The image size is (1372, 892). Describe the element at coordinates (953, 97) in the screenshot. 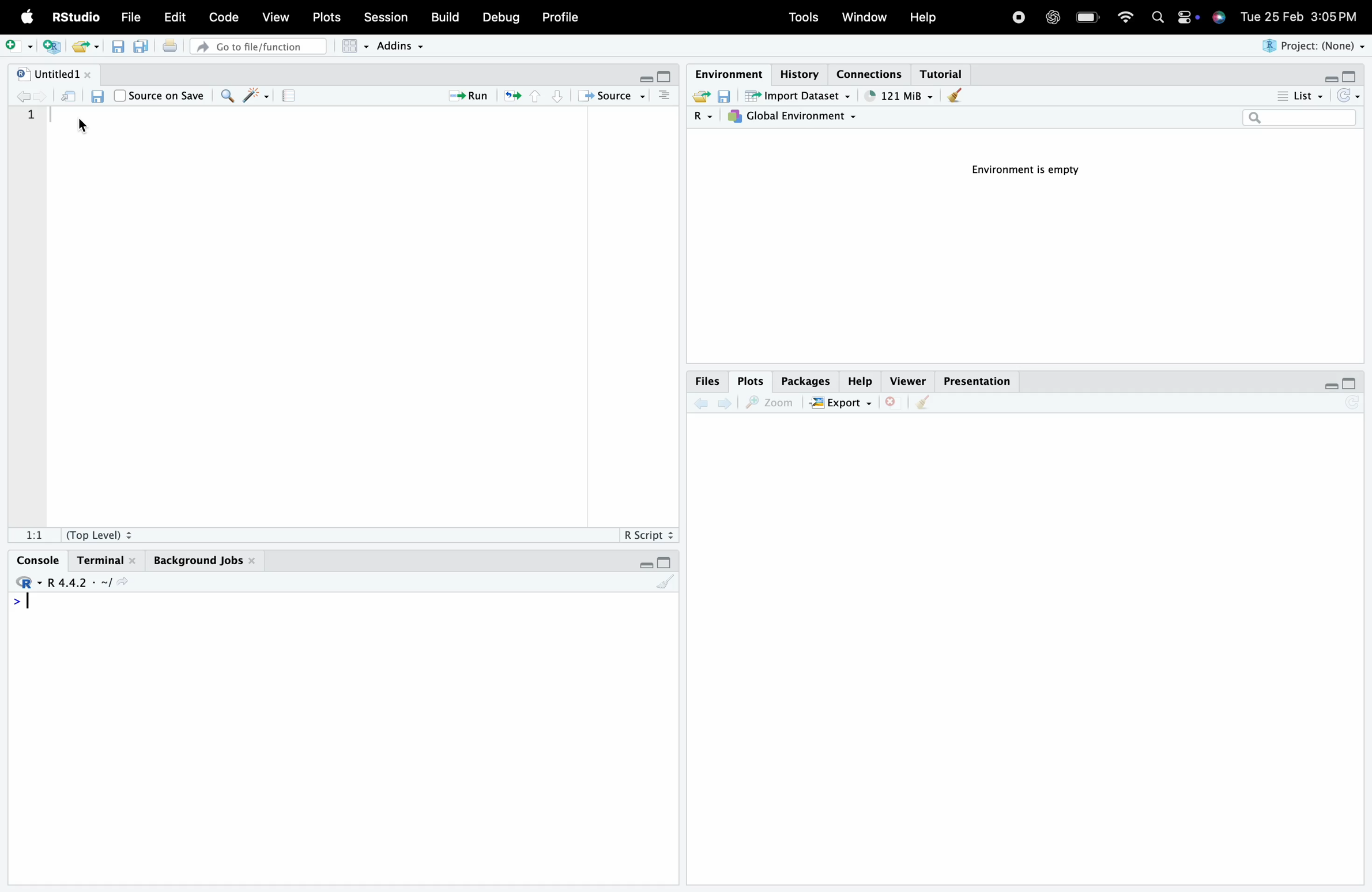

I see `Clear console (Ctrl + L)` at that location.